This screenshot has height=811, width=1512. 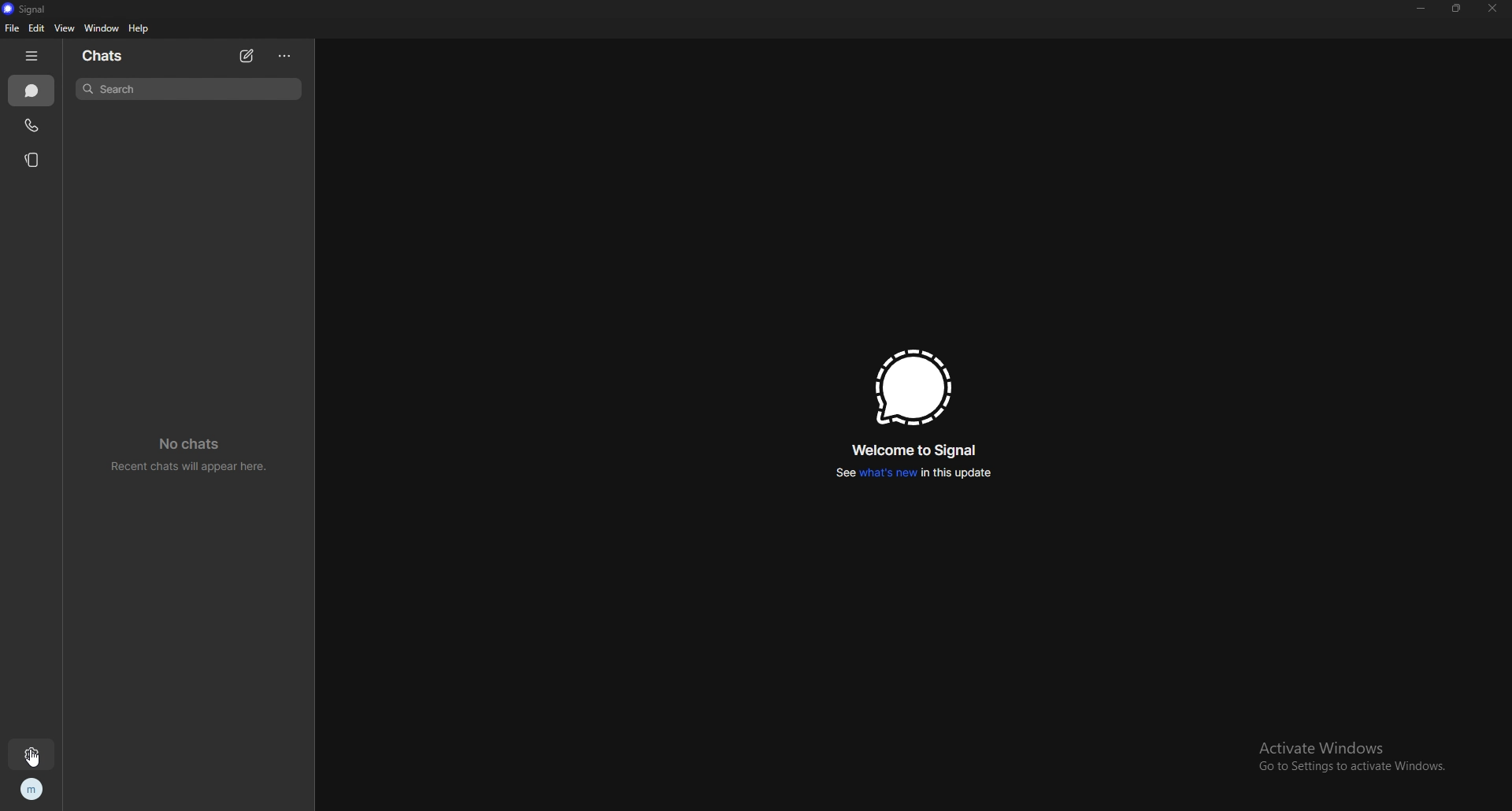 I want to click on hide tab, so click(x=31, y=56).